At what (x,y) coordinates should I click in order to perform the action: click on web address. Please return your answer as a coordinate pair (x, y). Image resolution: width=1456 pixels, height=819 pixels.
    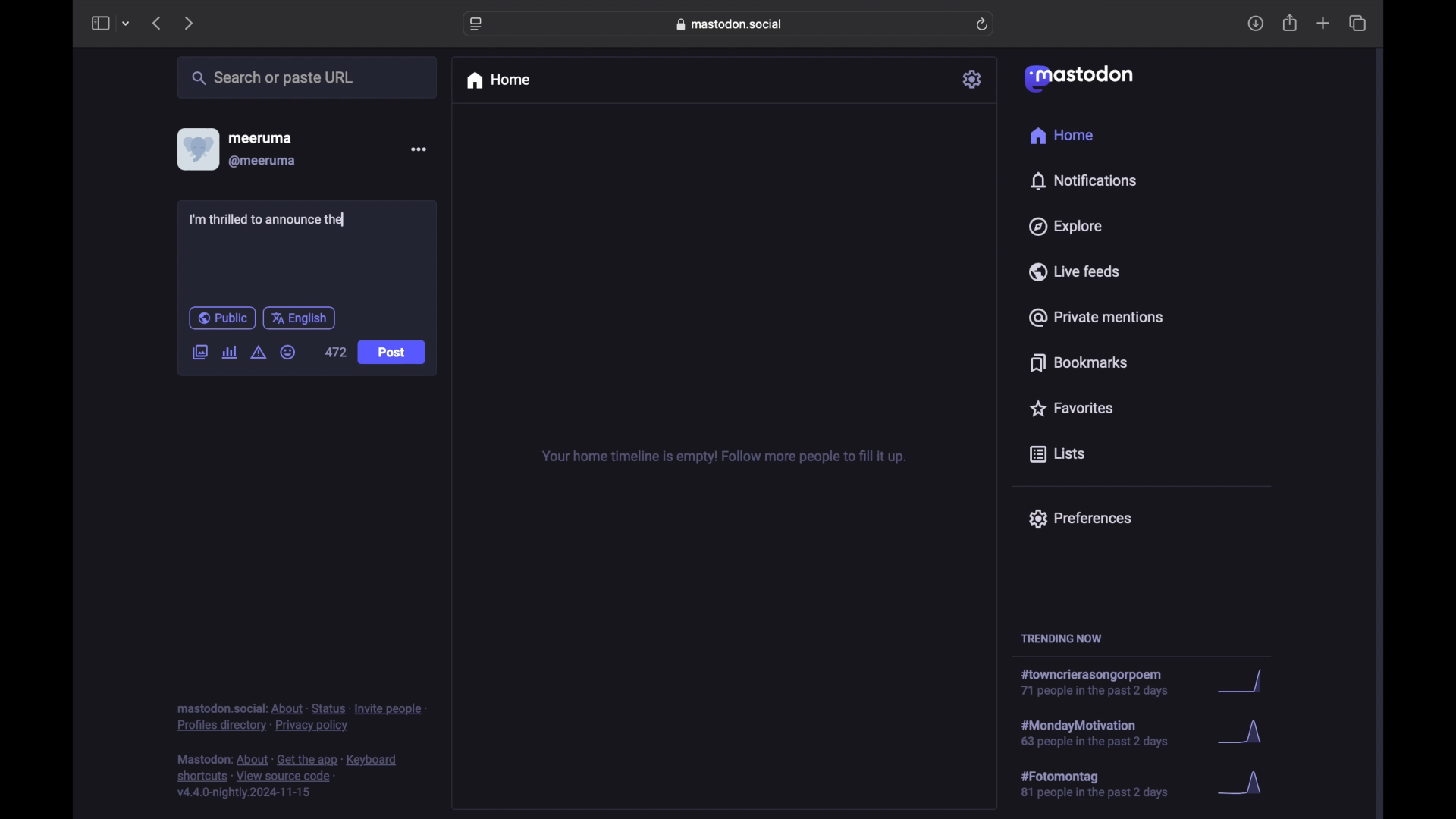
    Looking at the image, I should click on (730, 24).